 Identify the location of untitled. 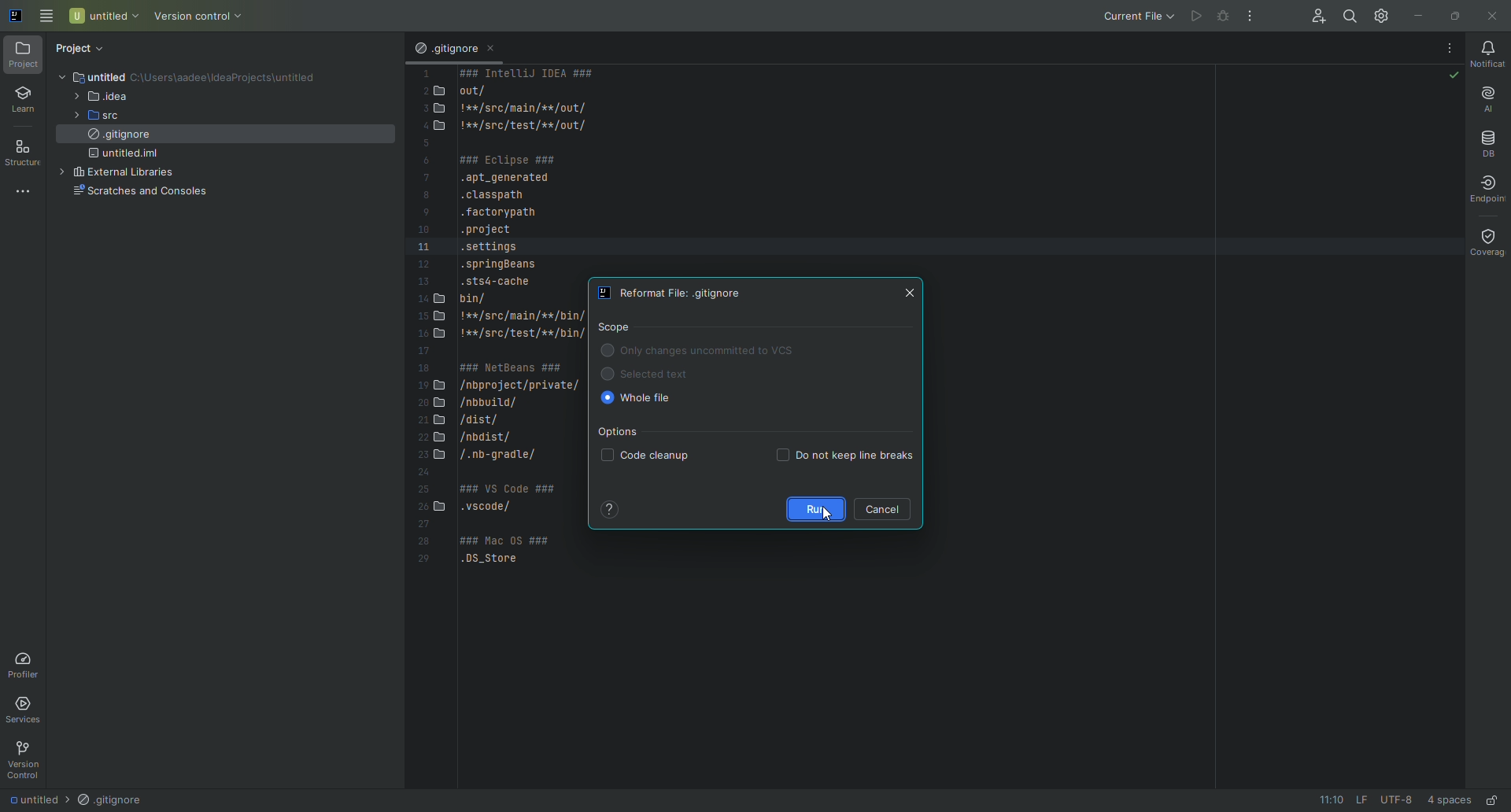
(120, 76).